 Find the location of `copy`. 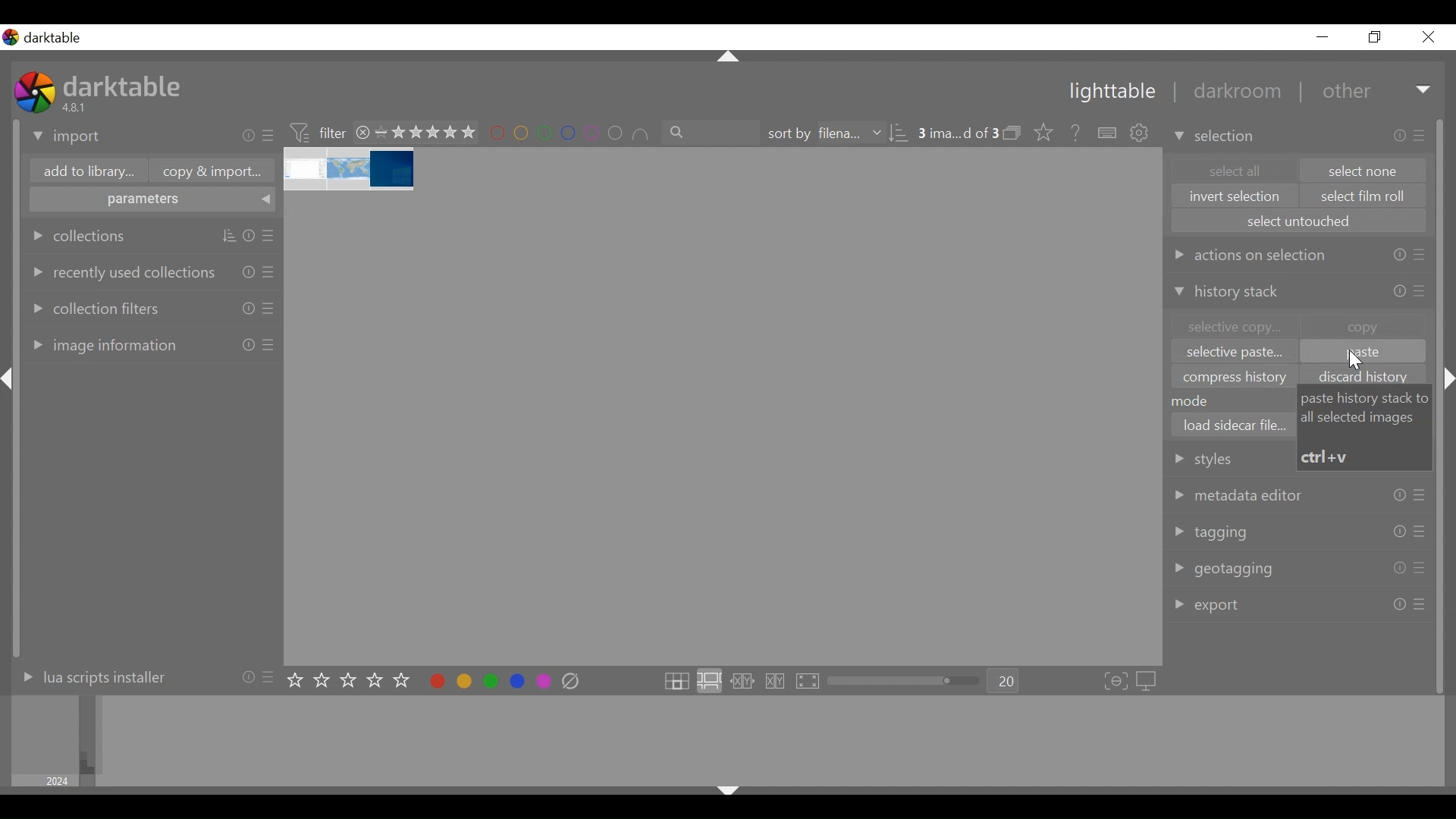

copy is located at coordinates (1363, 325).